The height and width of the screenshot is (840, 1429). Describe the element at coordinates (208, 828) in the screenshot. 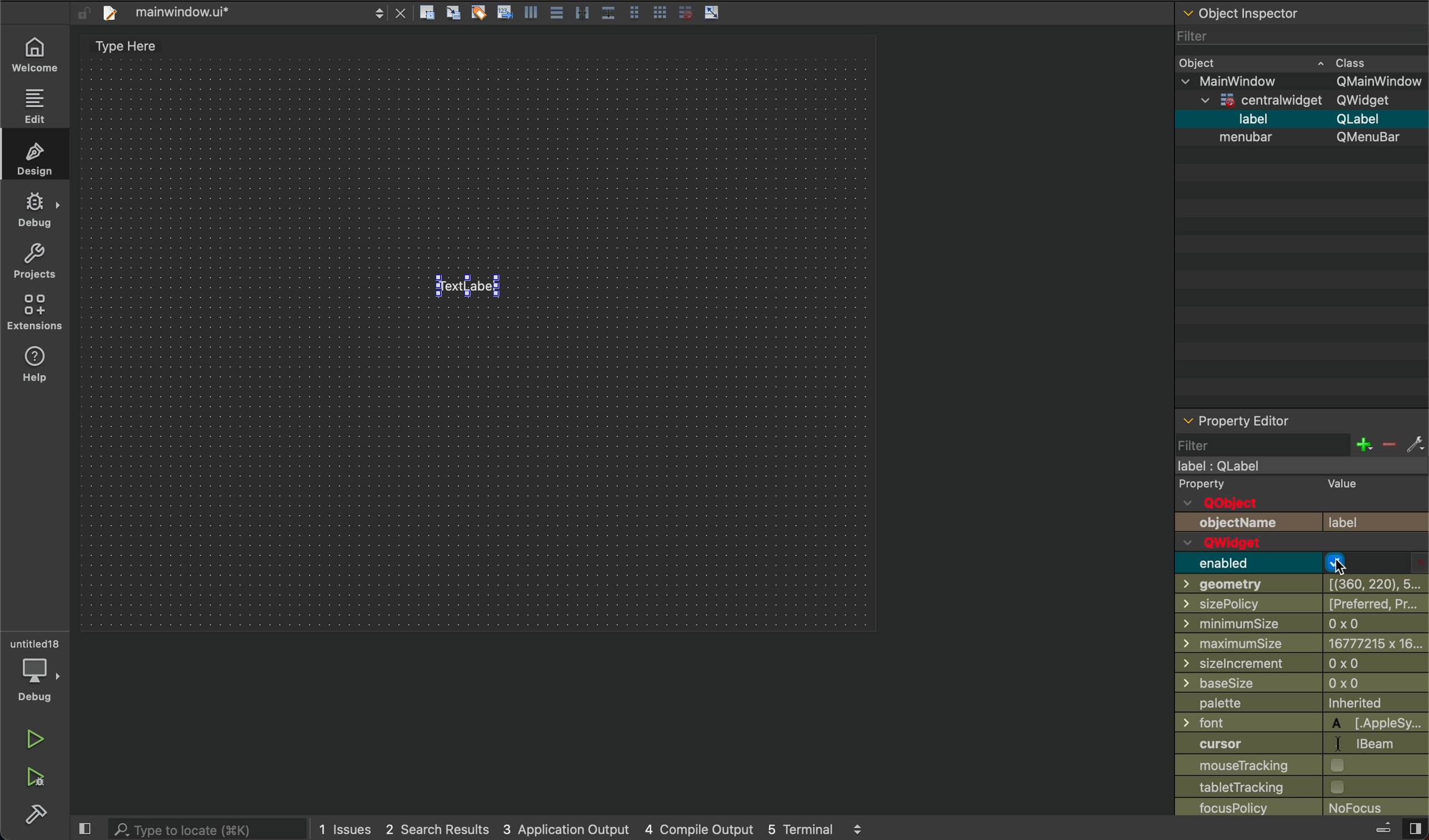

I see `search` at that location.